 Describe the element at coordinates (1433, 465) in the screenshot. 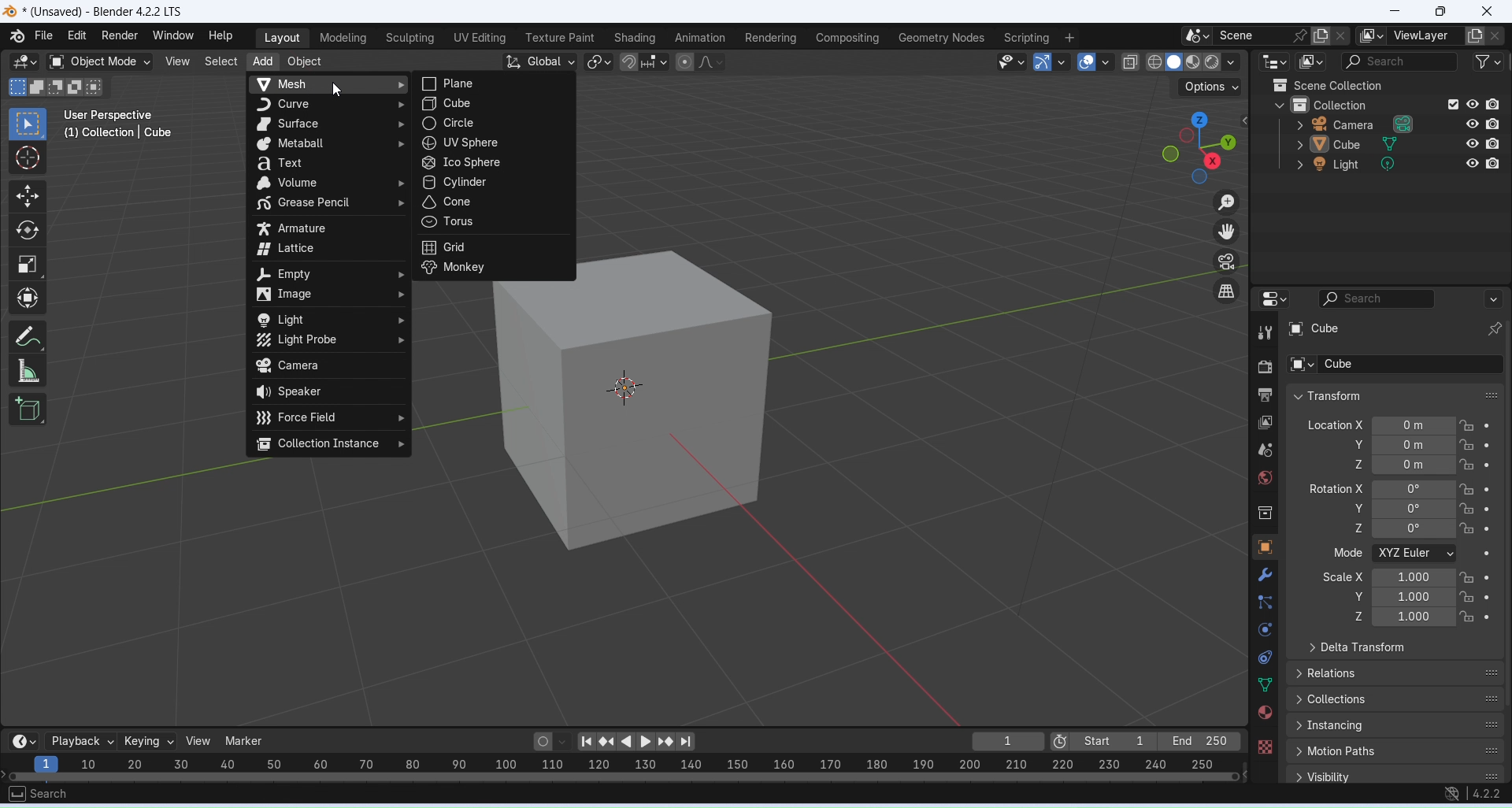

I see `Z axis` at that location.